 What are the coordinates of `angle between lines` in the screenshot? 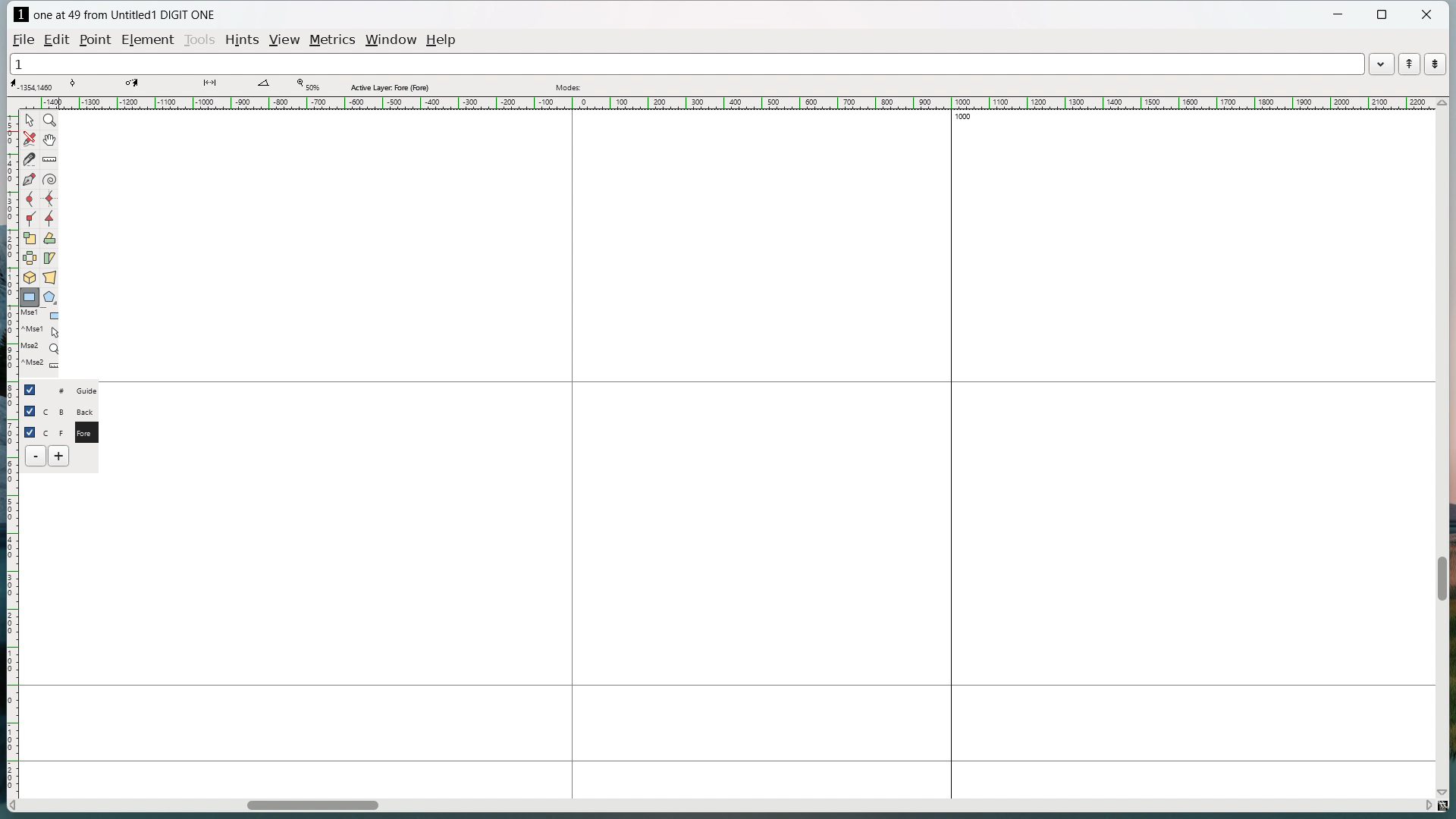 It's located at (264, 83).